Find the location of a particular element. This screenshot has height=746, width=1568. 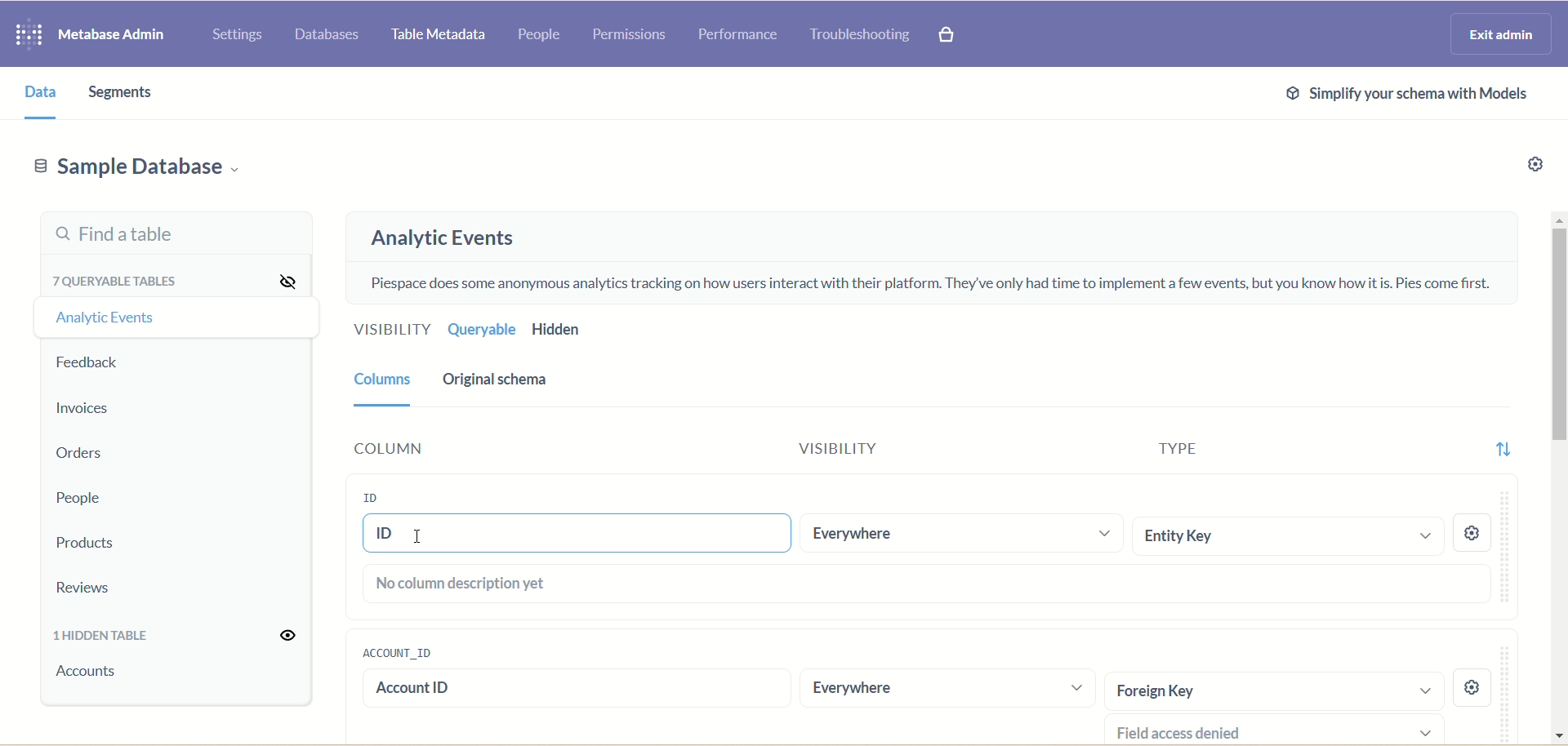

settings is located at coordinates (1474, 690).